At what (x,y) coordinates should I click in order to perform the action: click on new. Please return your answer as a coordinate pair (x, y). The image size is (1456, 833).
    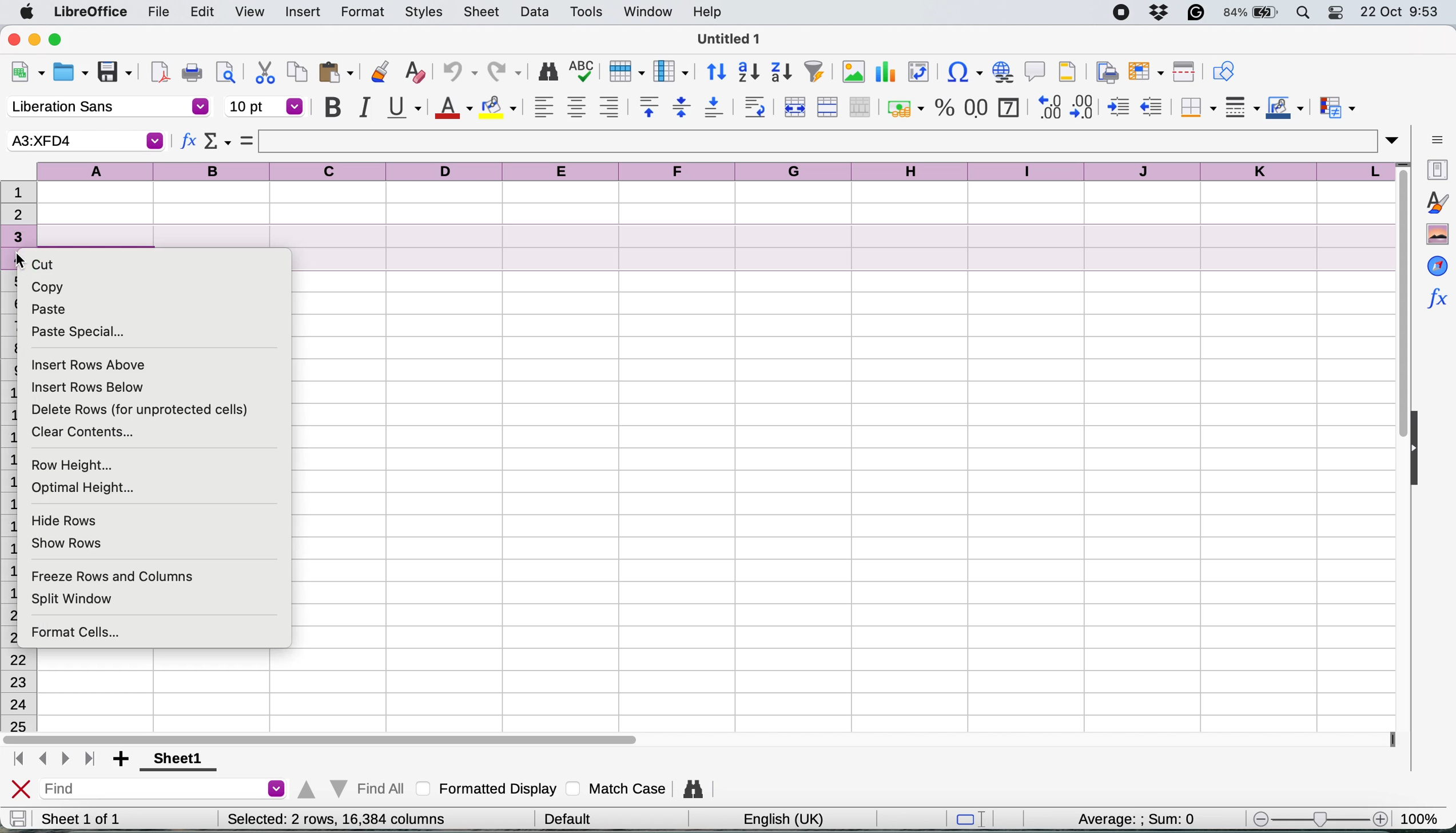
    Looking at the image, I should click on (27, 74).